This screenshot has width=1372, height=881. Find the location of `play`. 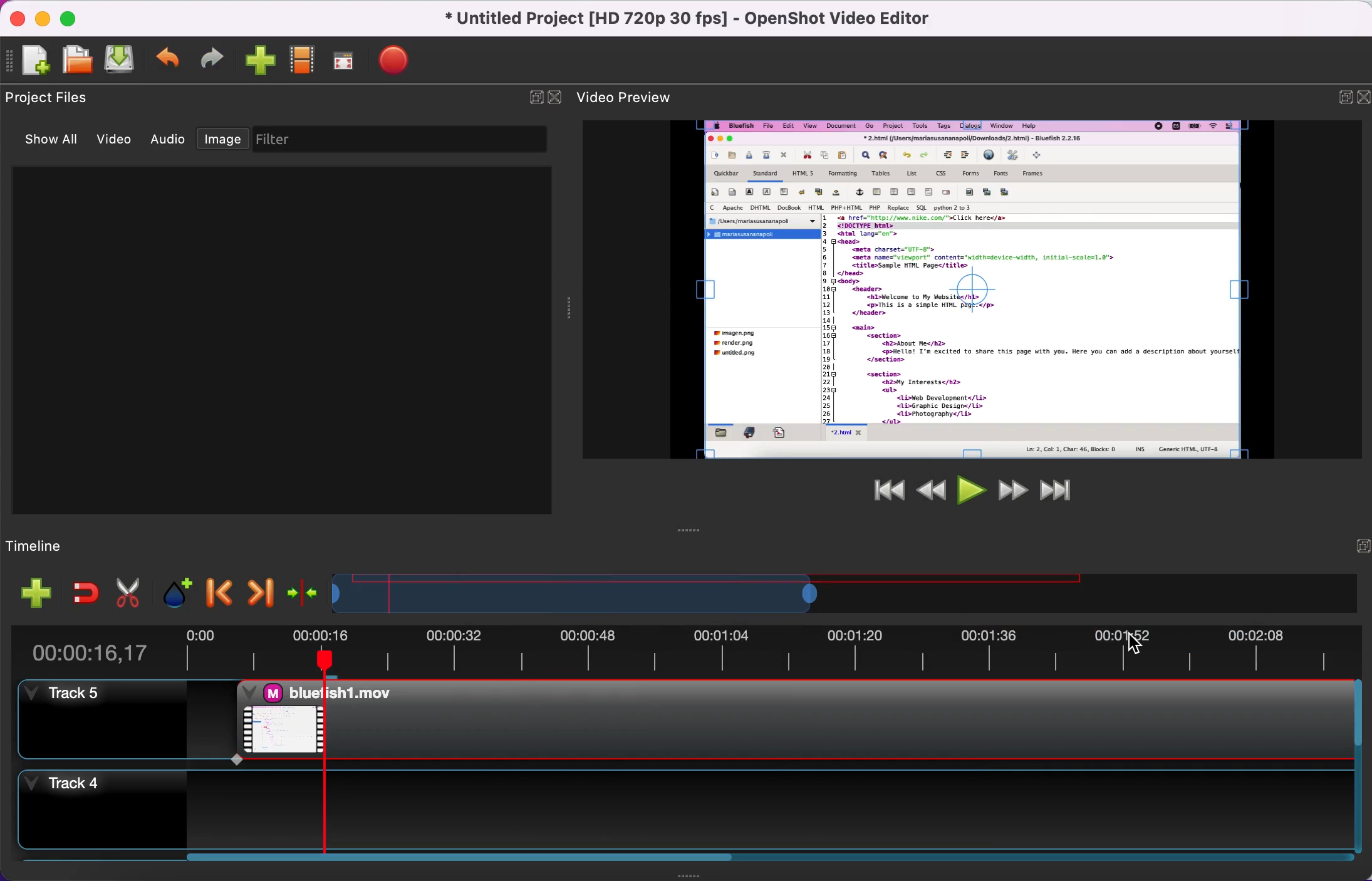

play is located at coordinates (969, 489).